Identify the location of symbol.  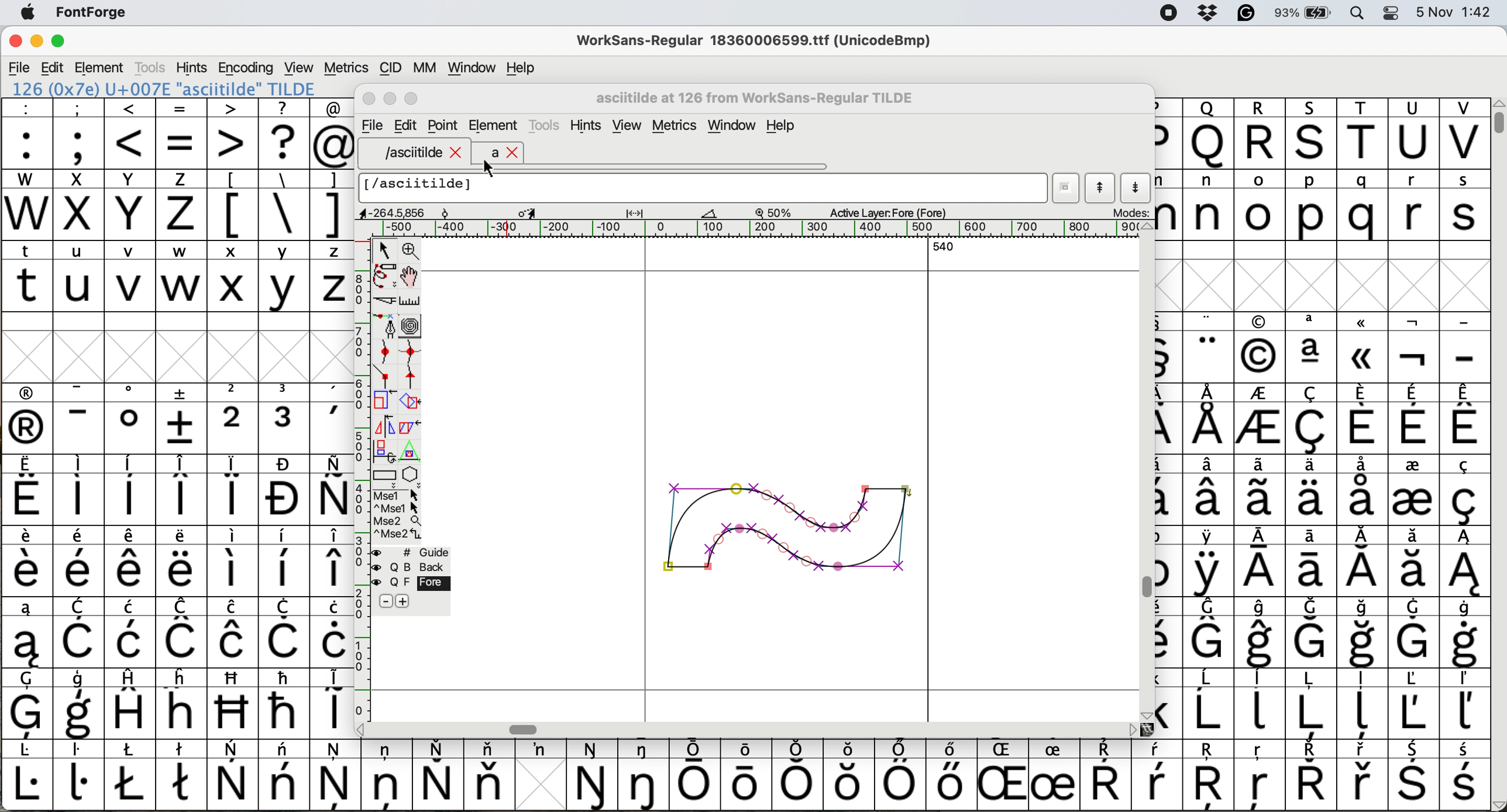
(234, 490).